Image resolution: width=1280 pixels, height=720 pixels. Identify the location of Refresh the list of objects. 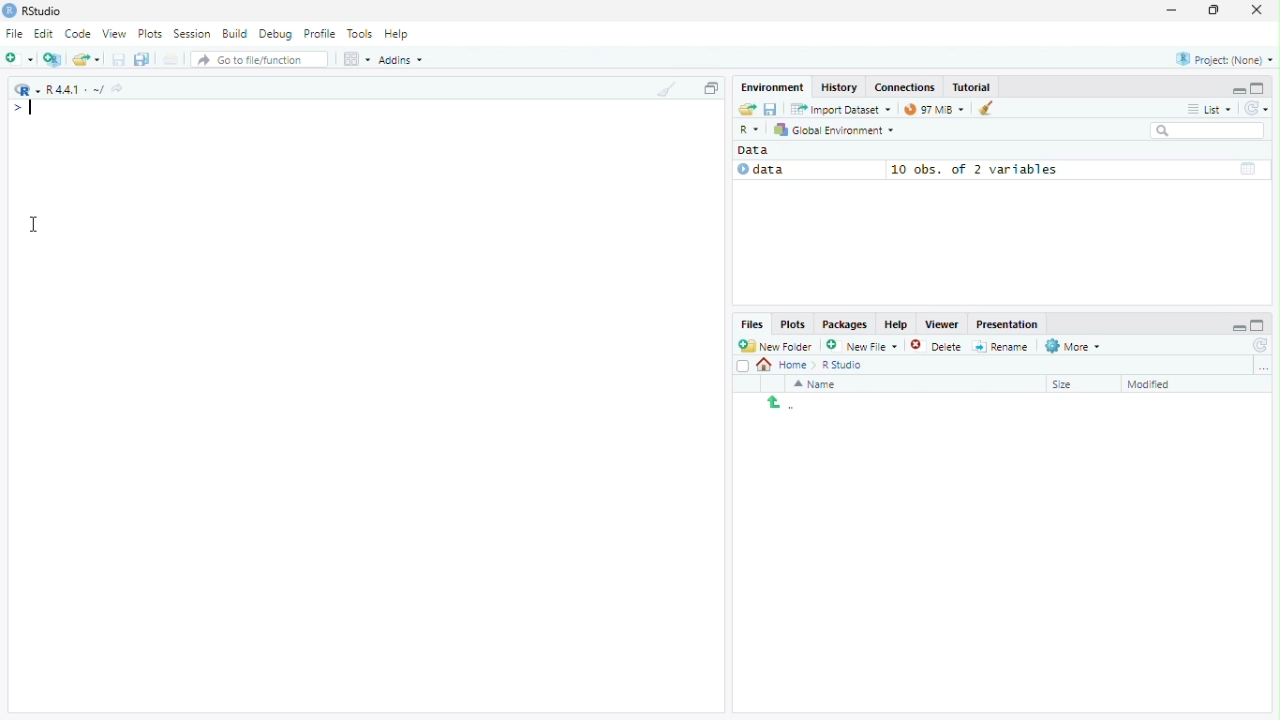
(1256, 107).